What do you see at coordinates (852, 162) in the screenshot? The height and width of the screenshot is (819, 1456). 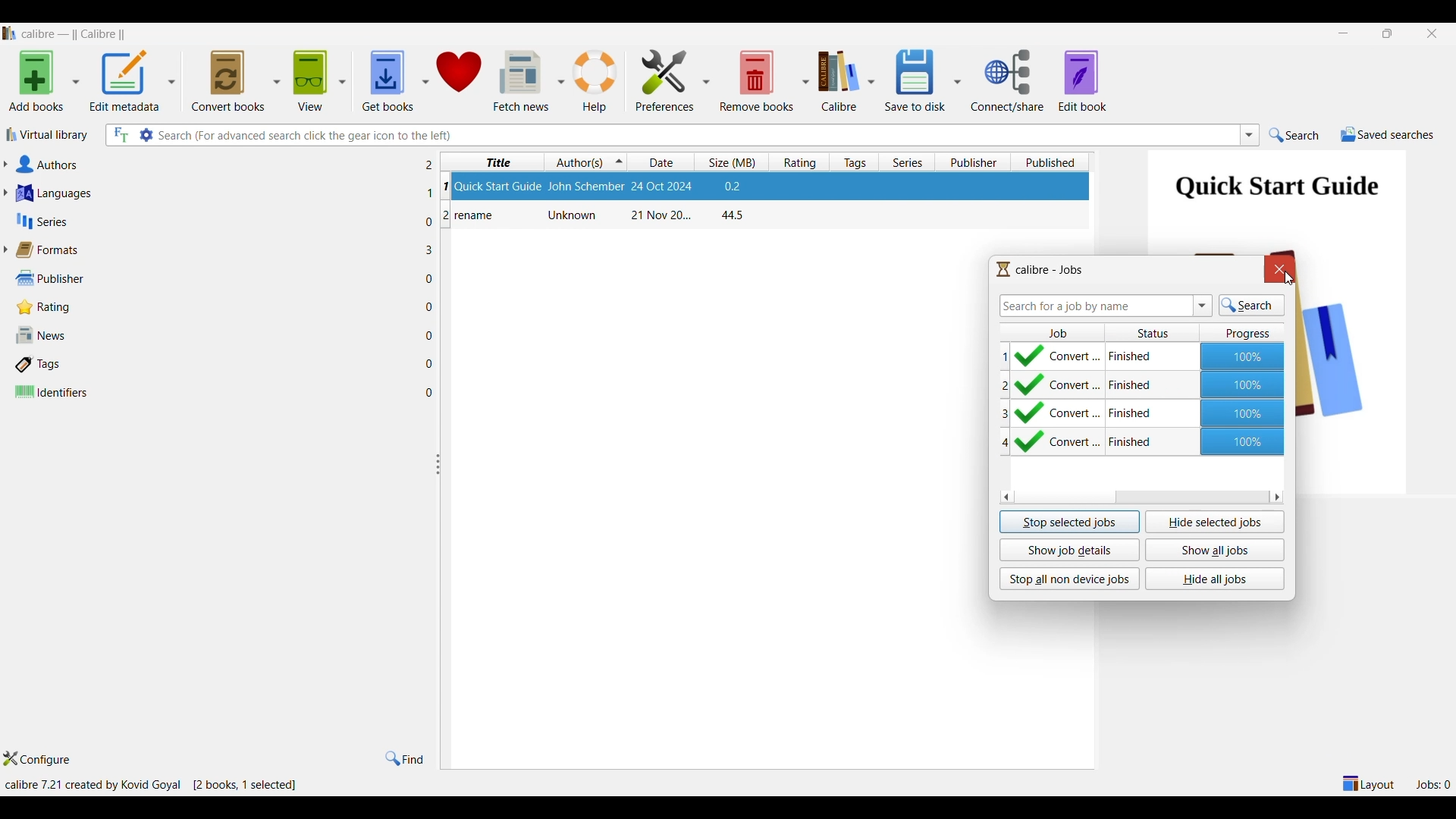 I see `Tag column` at bounding box center [852, 162].